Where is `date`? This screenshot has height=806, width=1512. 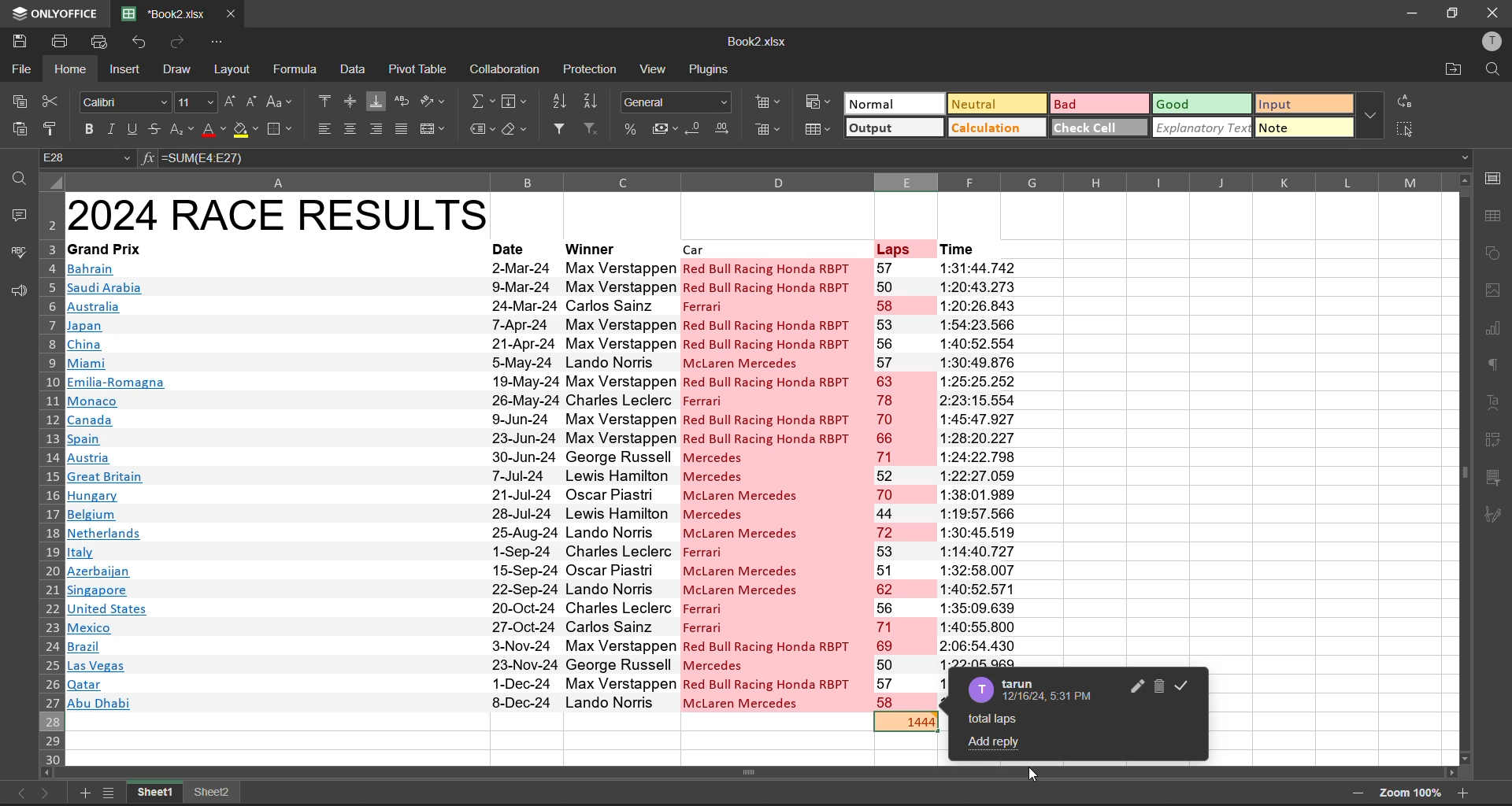 date is located at coordinates (523, 484).